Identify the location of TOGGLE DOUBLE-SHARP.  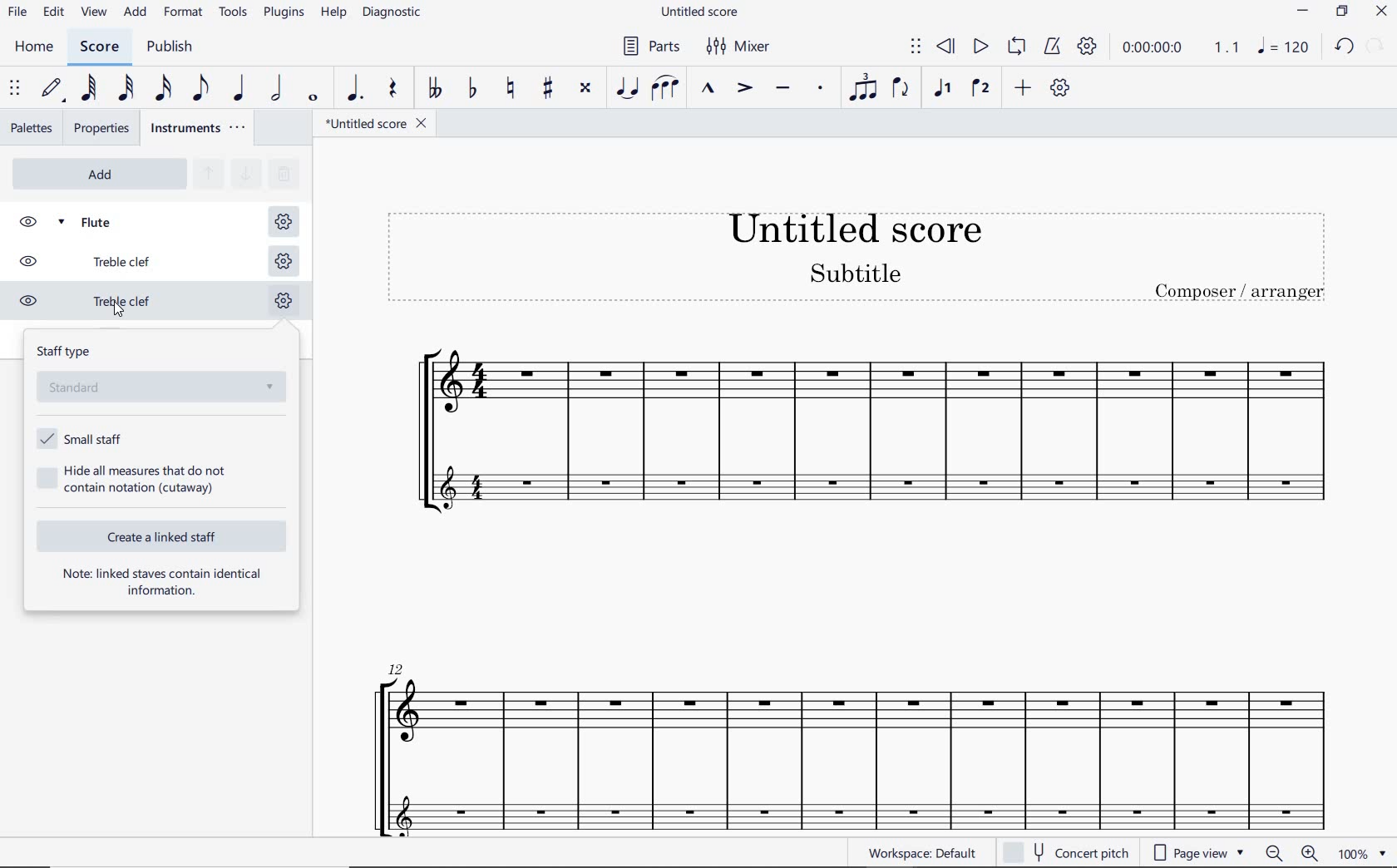
(587, 89).